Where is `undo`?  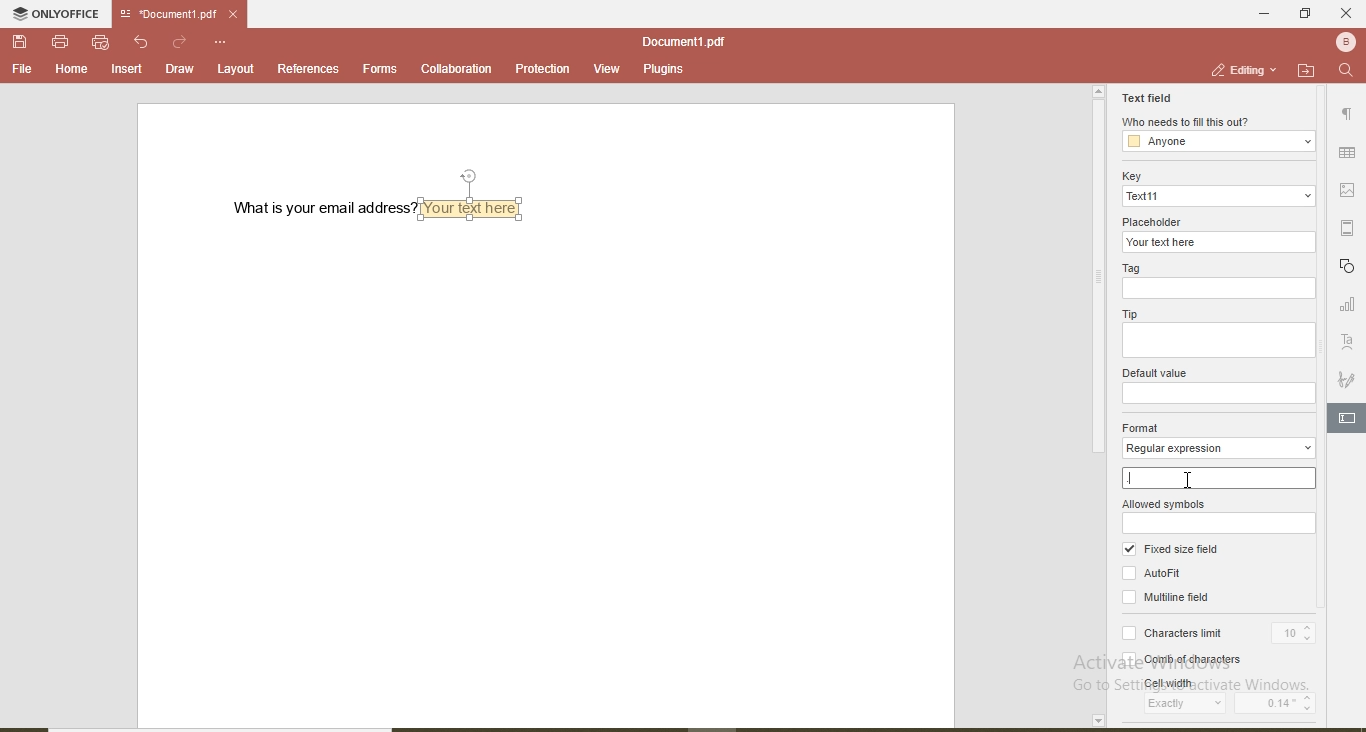 undo is located at coordinates (144, 42).